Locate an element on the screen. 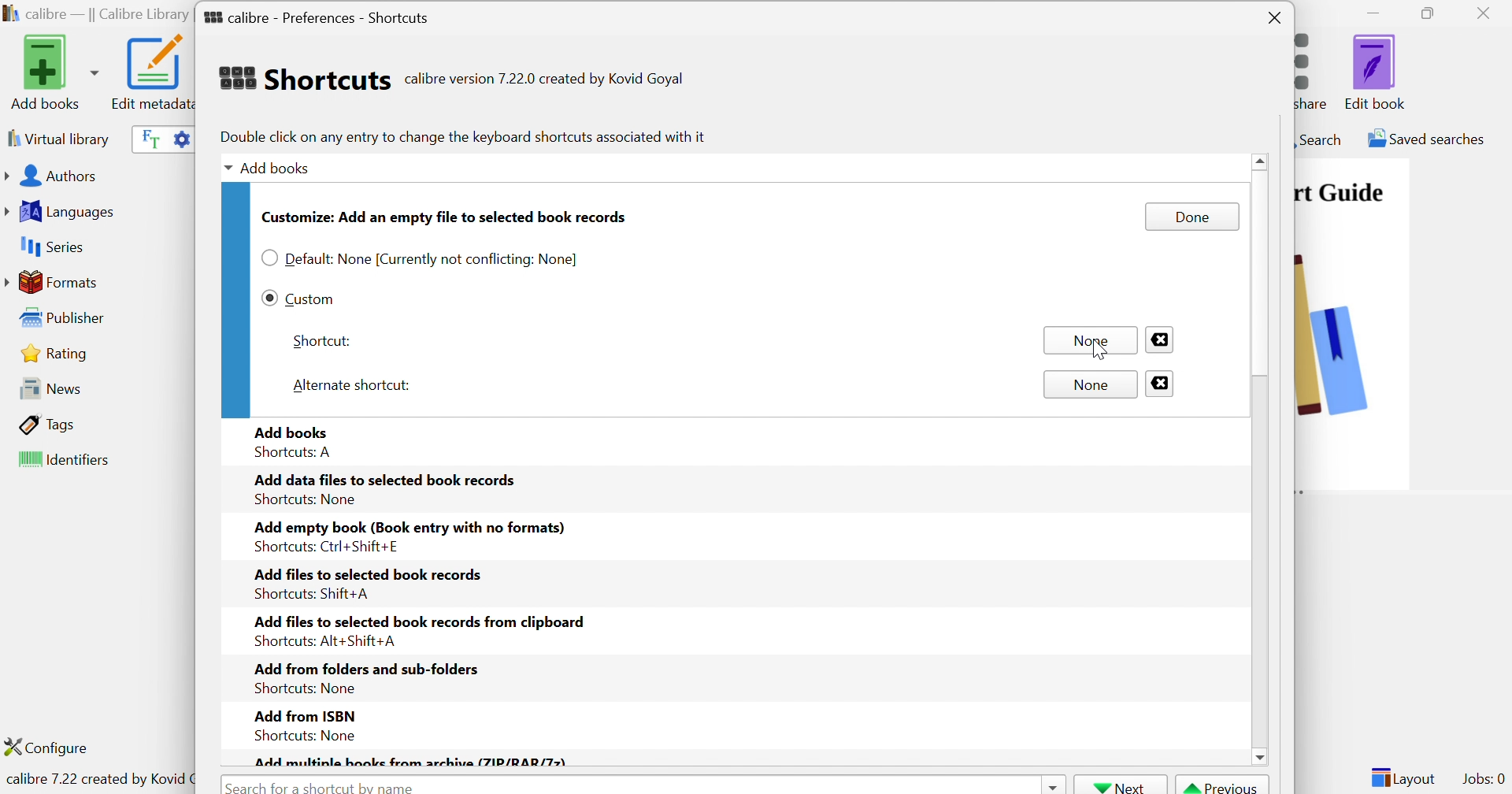  Tags is located at coordinates (48, 424).